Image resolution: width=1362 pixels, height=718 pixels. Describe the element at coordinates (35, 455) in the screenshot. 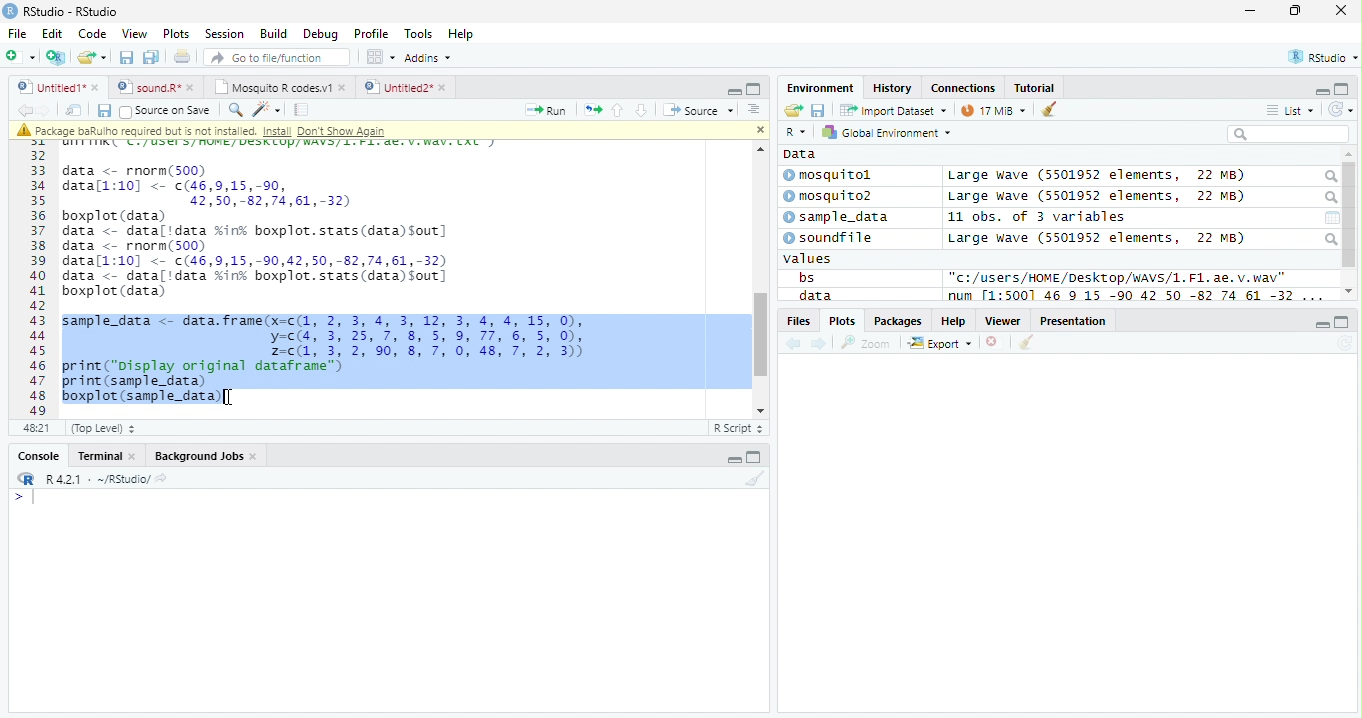

I see `Console` at that location.